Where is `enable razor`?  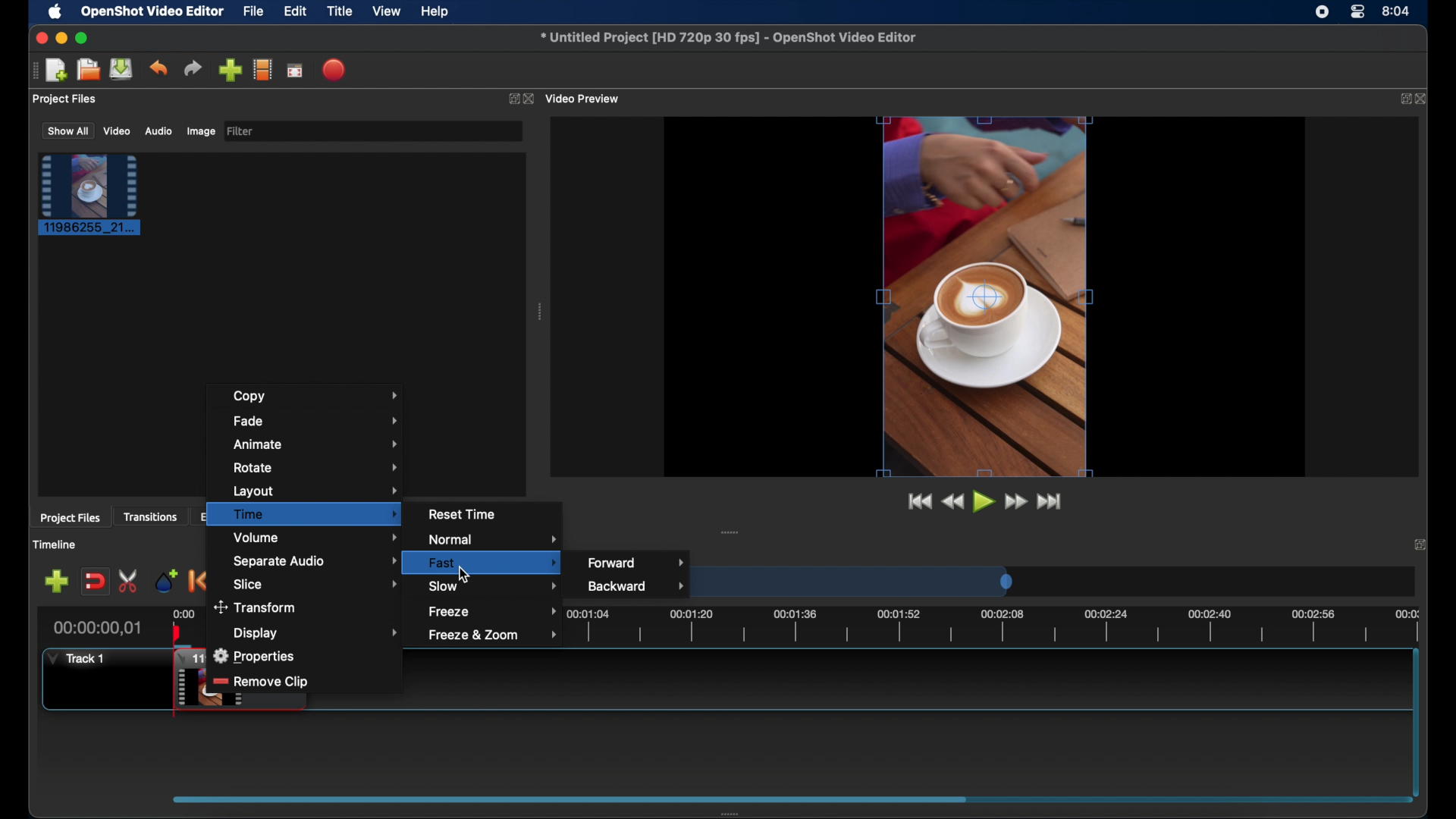
enable razor is located at coordinates (130, 581).